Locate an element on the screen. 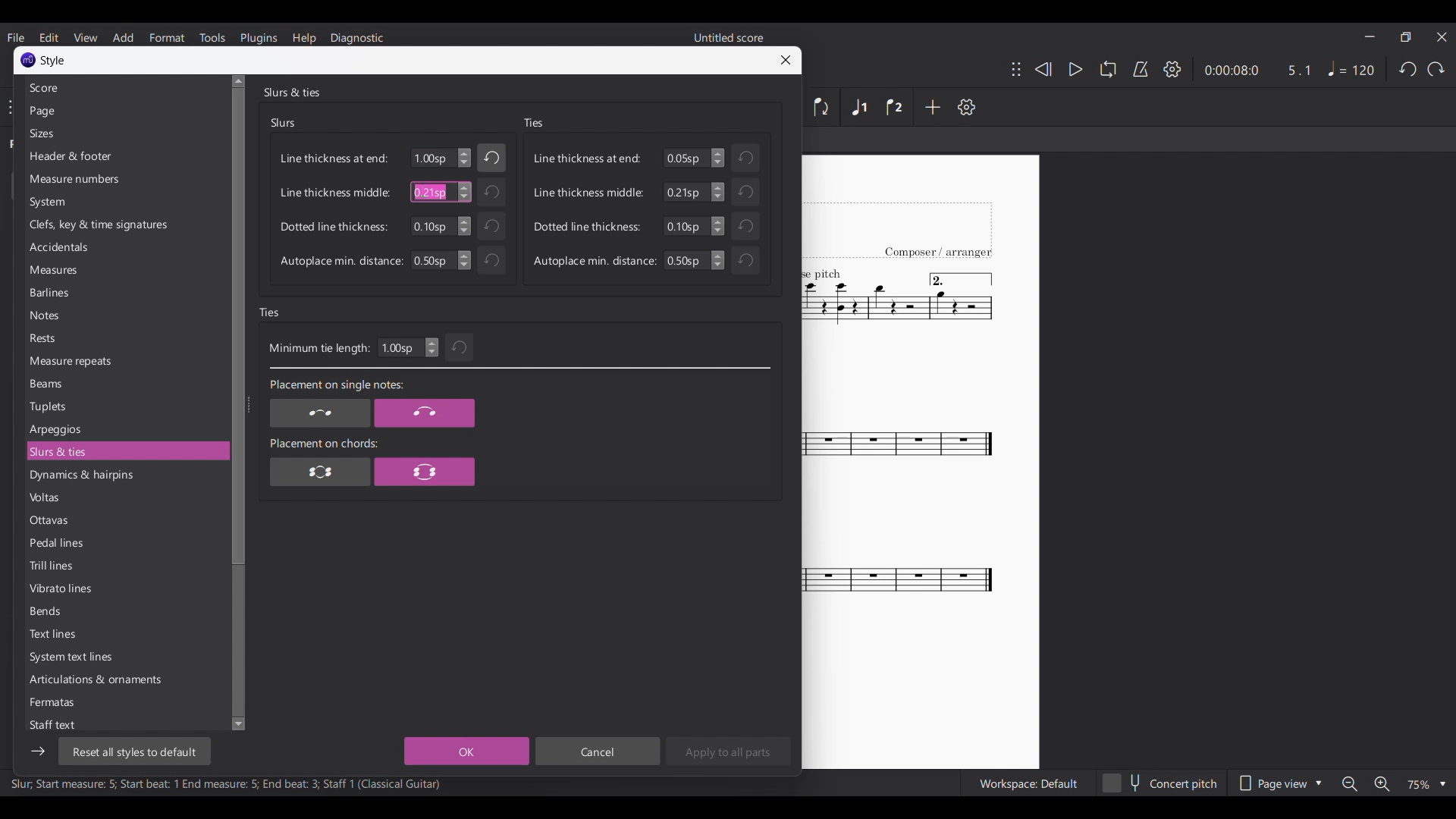  Change width of side panel is located at coordinates (248, 404).